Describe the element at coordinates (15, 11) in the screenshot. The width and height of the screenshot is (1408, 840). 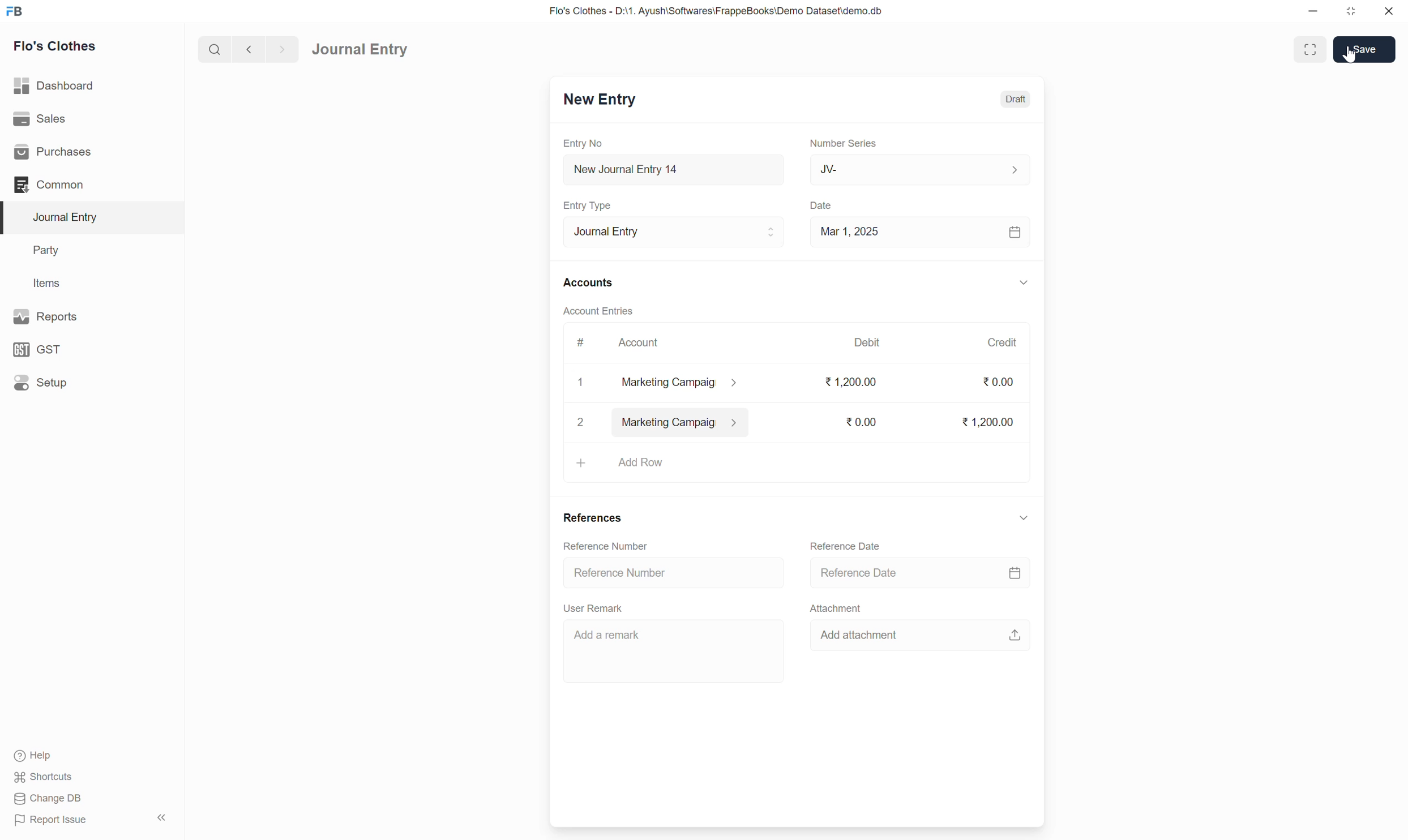
I see `FB` at that location.